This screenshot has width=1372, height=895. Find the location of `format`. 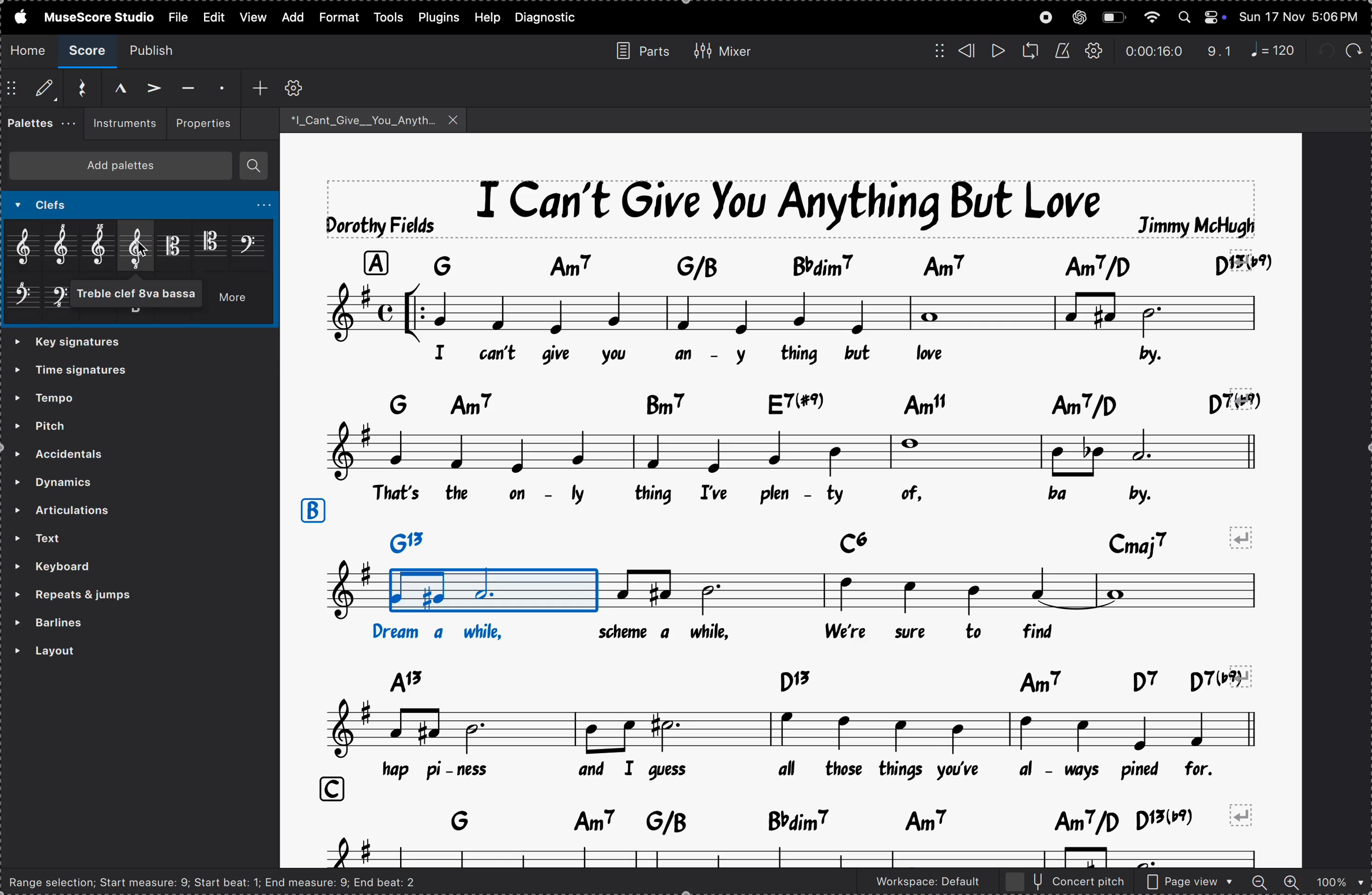

format is located at coordinates (337, 18).